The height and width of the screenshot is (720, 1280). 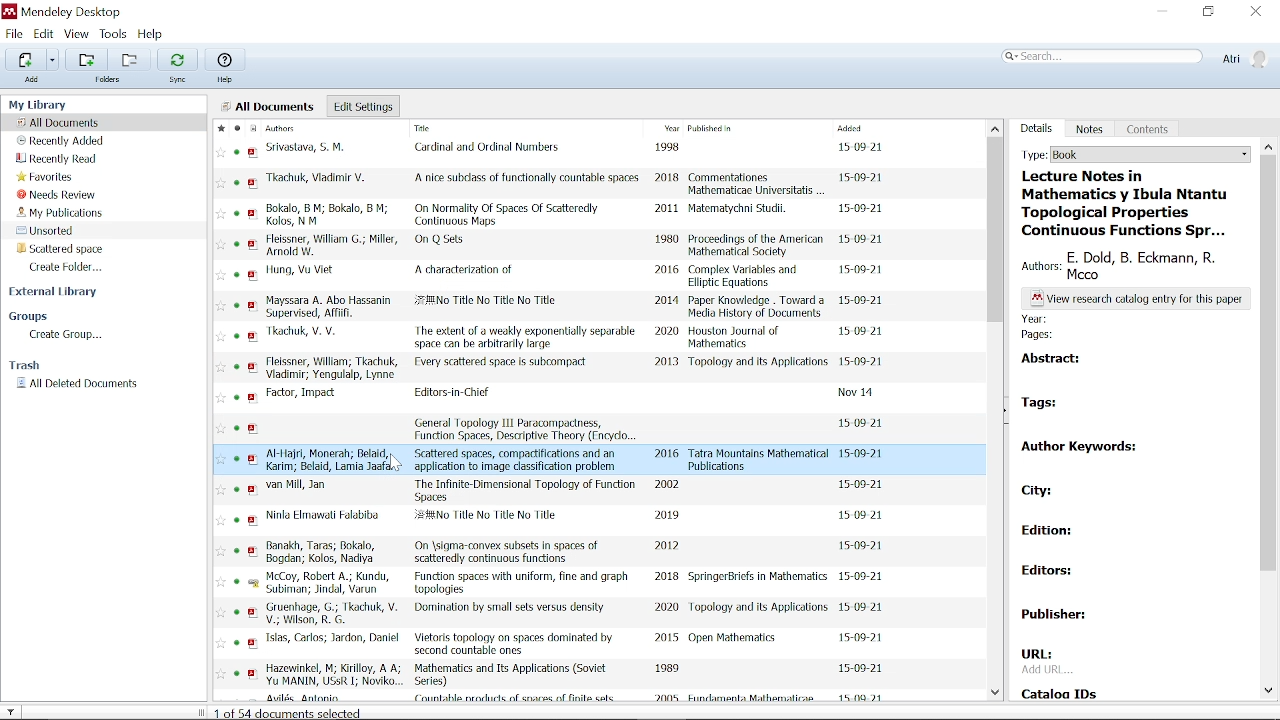 I want to click on sync, so click(x=179, y=81).